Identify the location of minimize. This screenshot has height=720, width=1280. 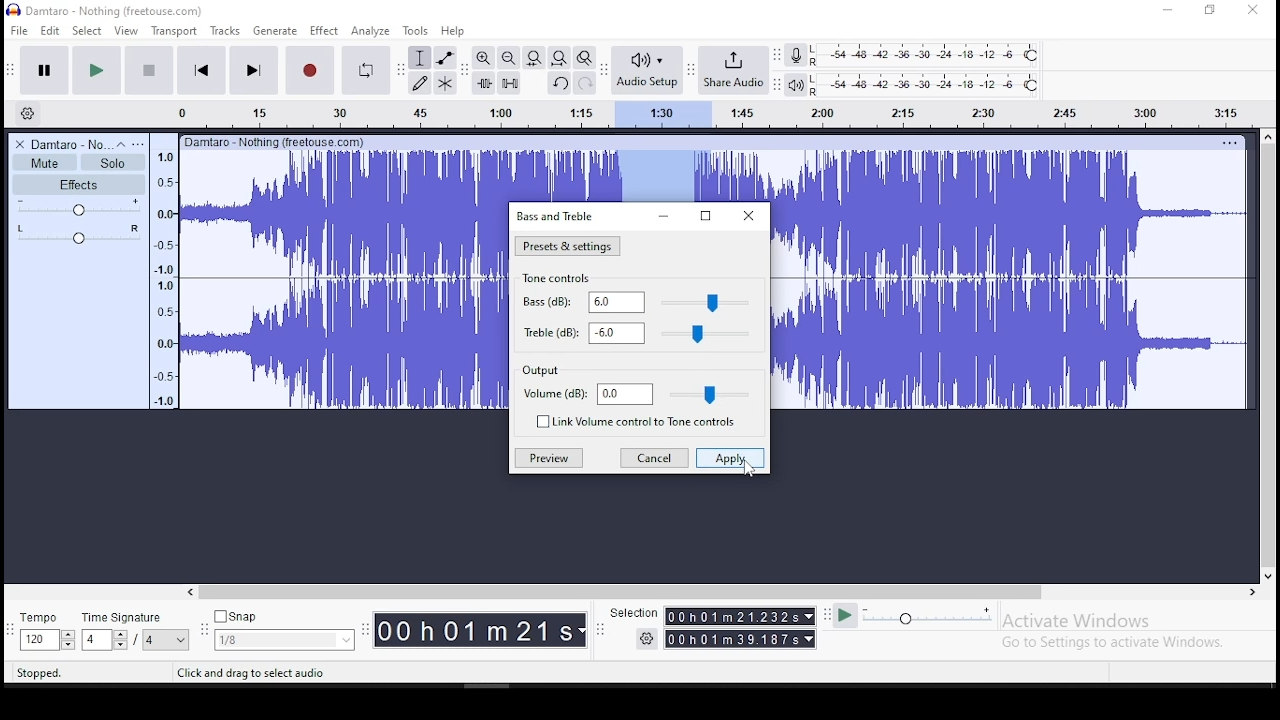
(662, 217).